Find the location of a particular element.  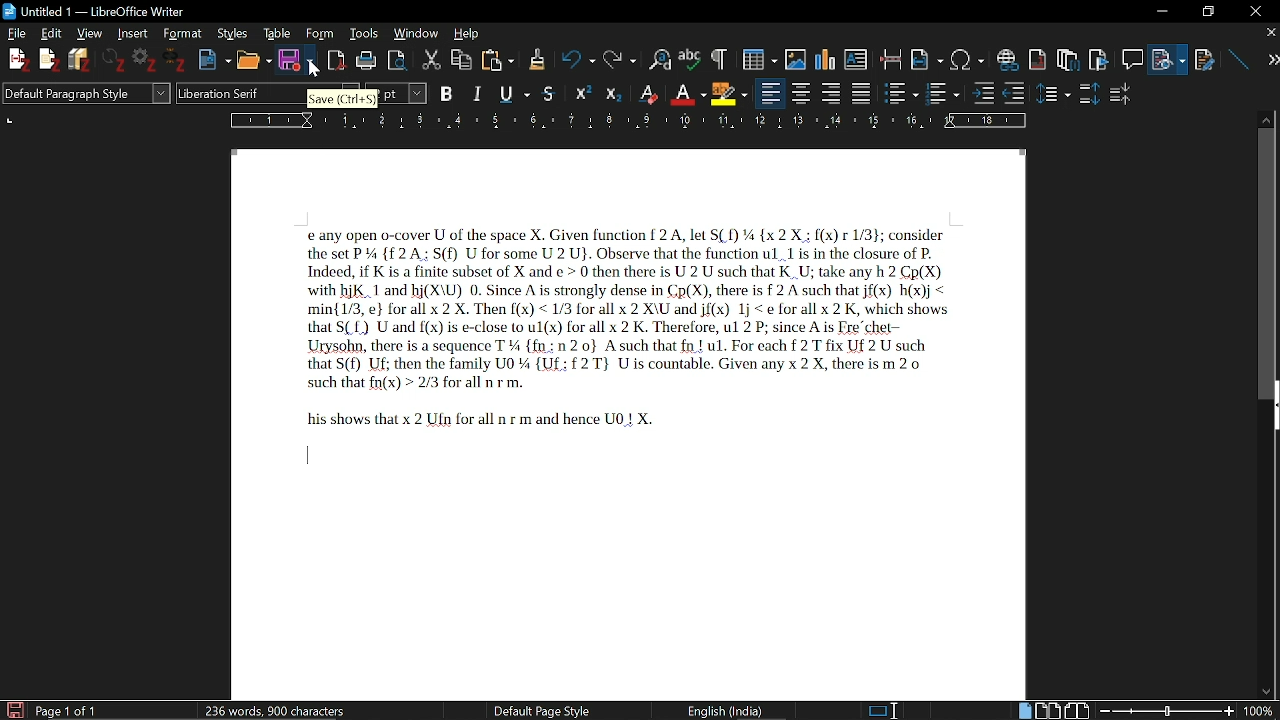

close is located at coordinates (1256, 10).